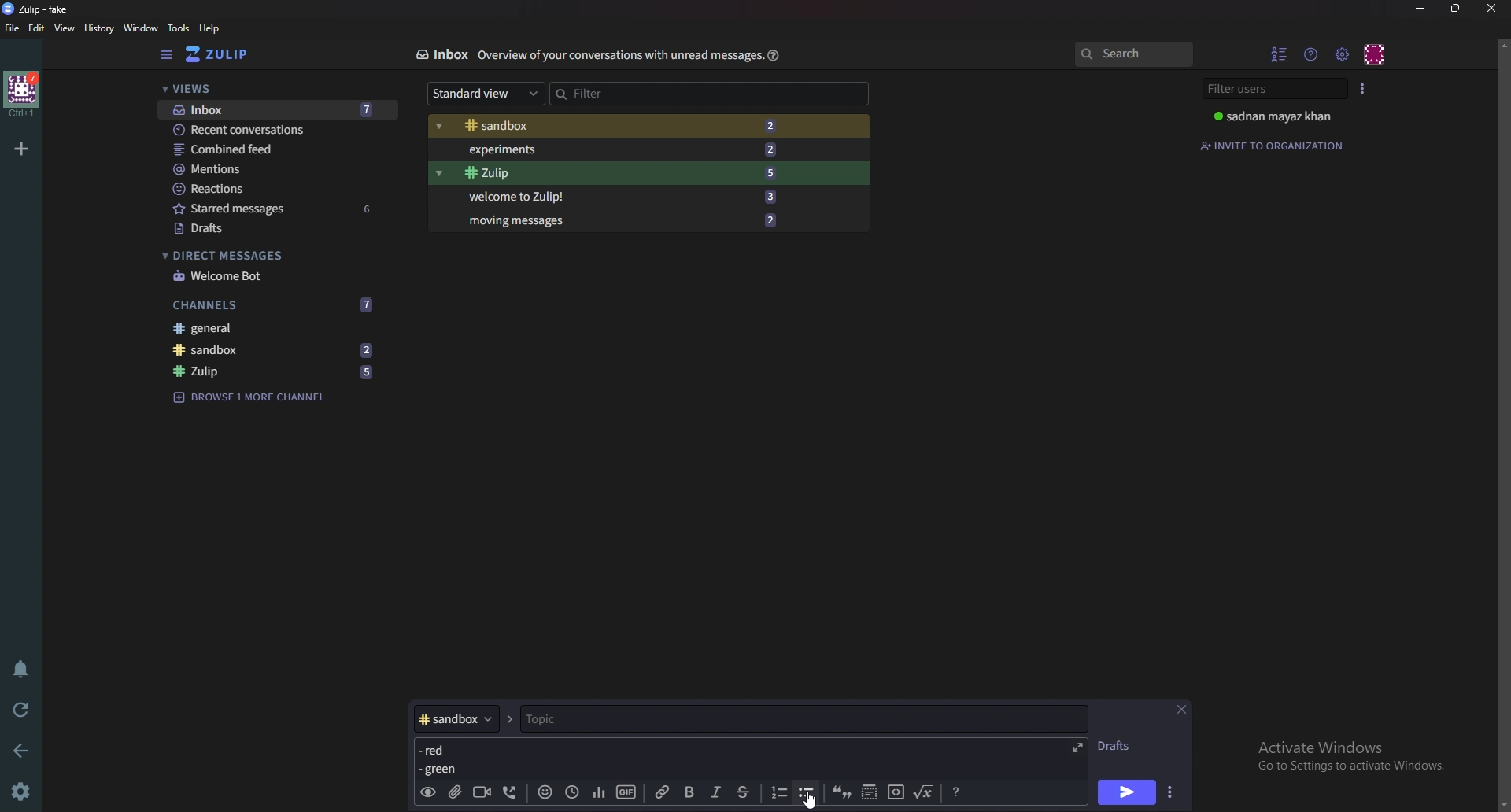  Describe the element at coordinates (1119, 746) in the screenshot. I see `Drafts` at that location.